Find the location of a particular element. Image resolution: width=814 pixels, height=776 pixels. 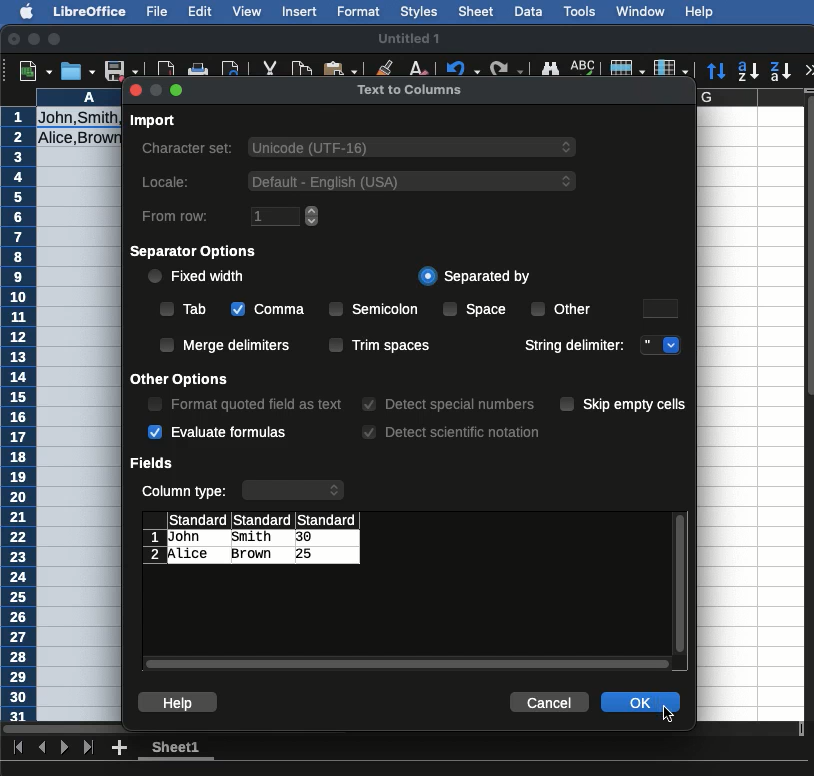

Minimize is located at coordinates (34, 38).